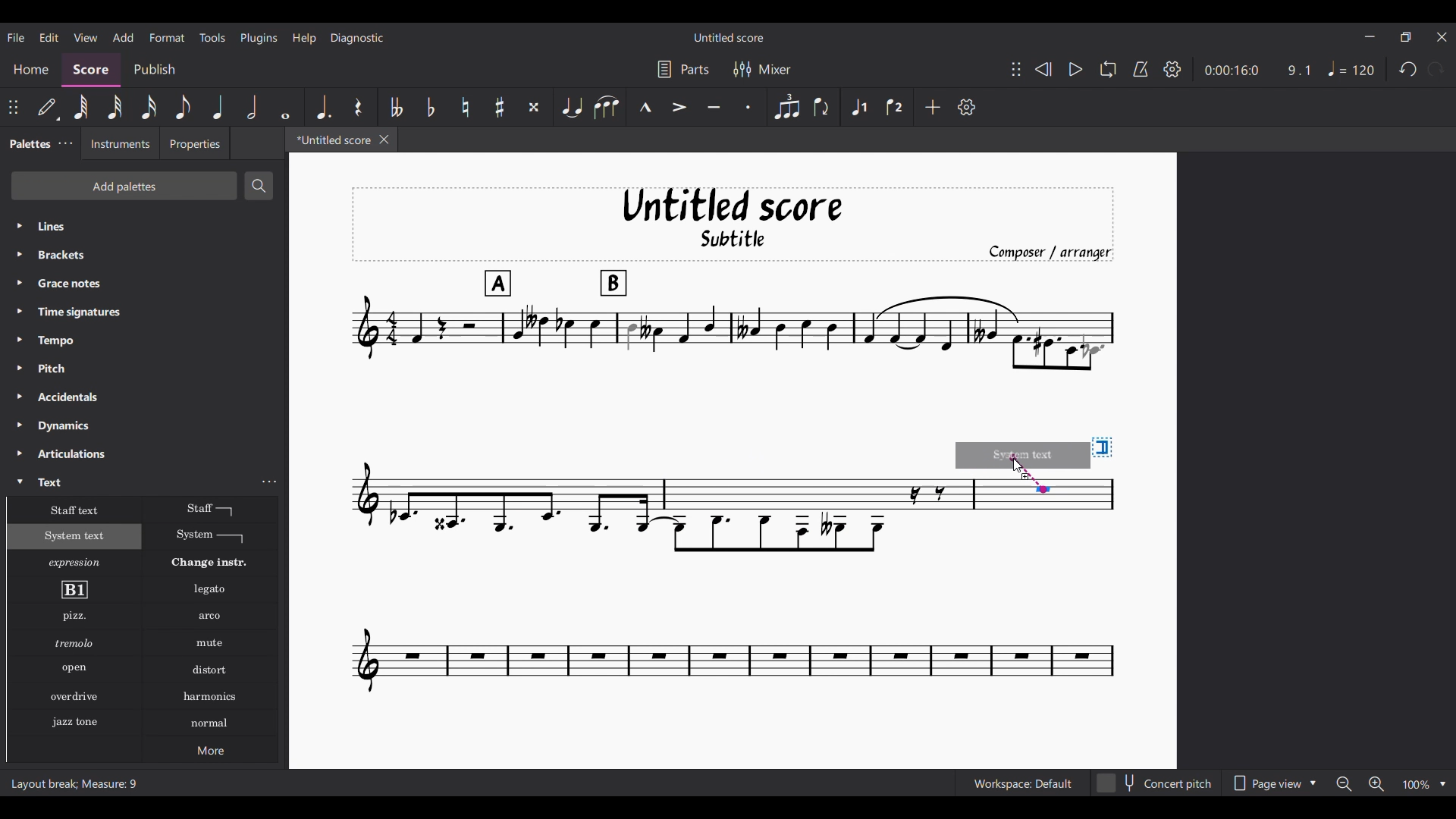 The height and width of the screenshot is (819, 1456). Describe the element at coordinates (1405, 37) in the screenshot. I see `Show in smaller tab` at that location.